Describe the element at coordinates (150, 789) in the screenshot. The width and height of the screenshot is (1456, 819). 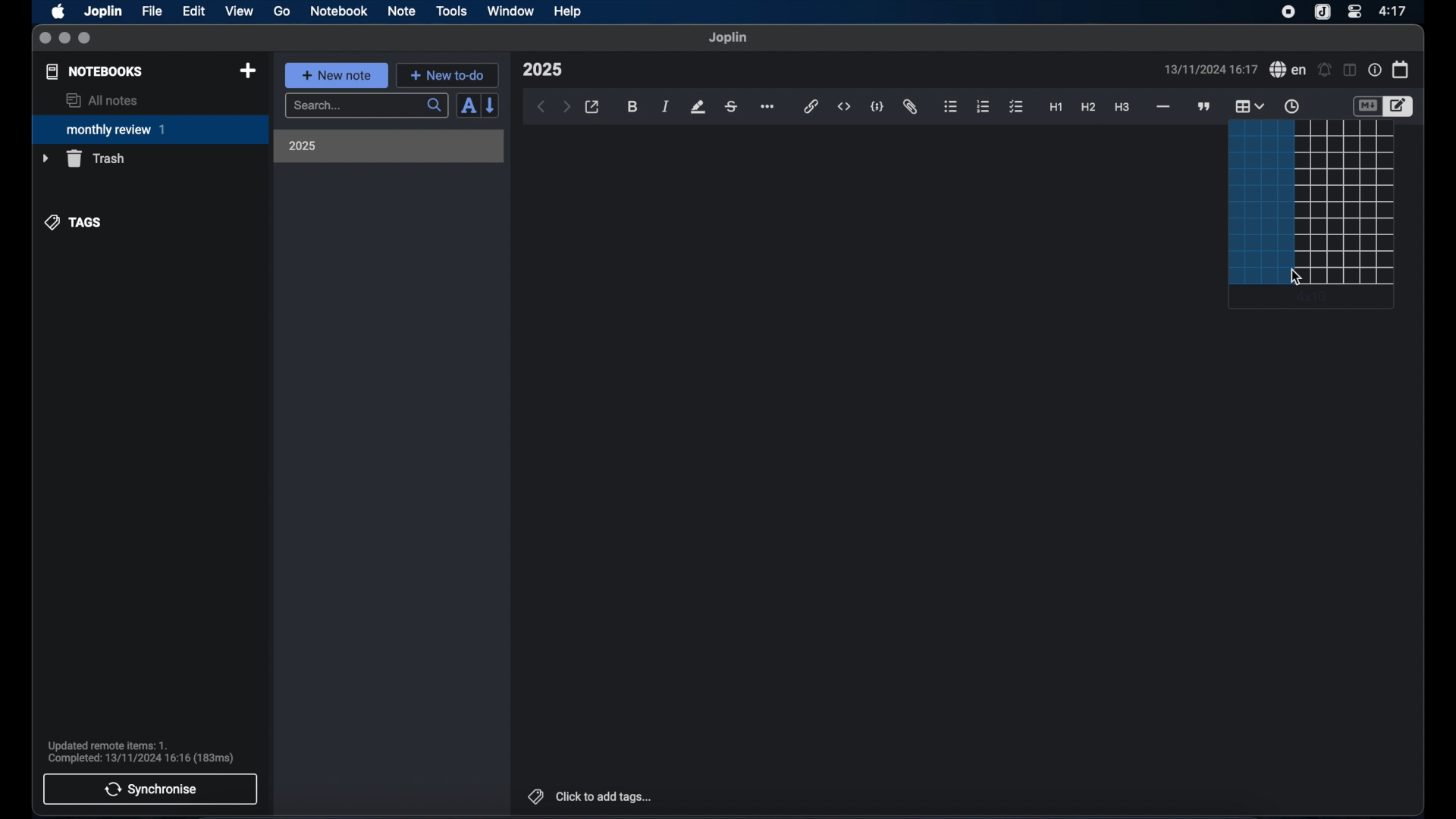
I see `synchronise` at that location.